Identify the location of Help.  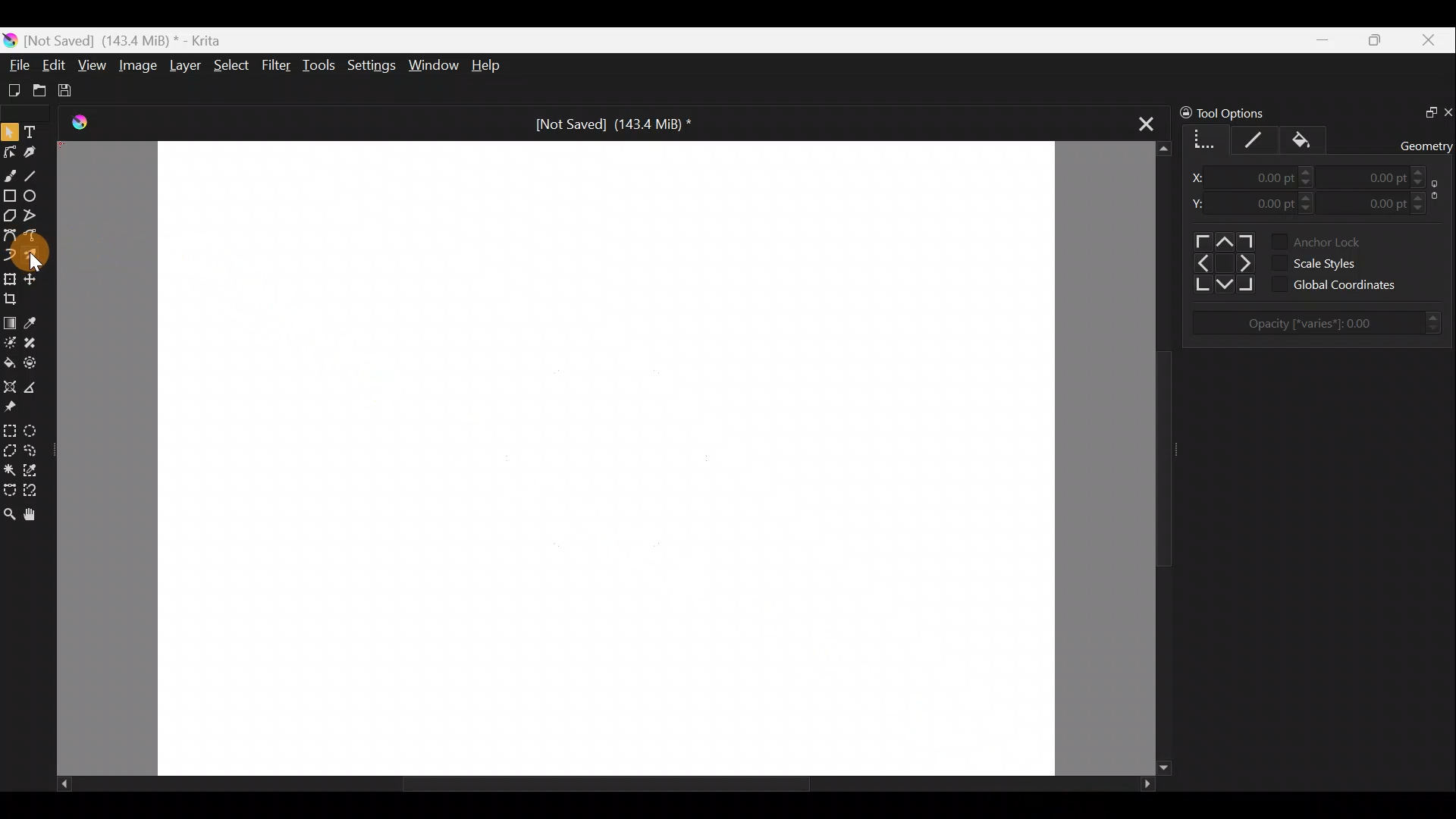
(496, 65).